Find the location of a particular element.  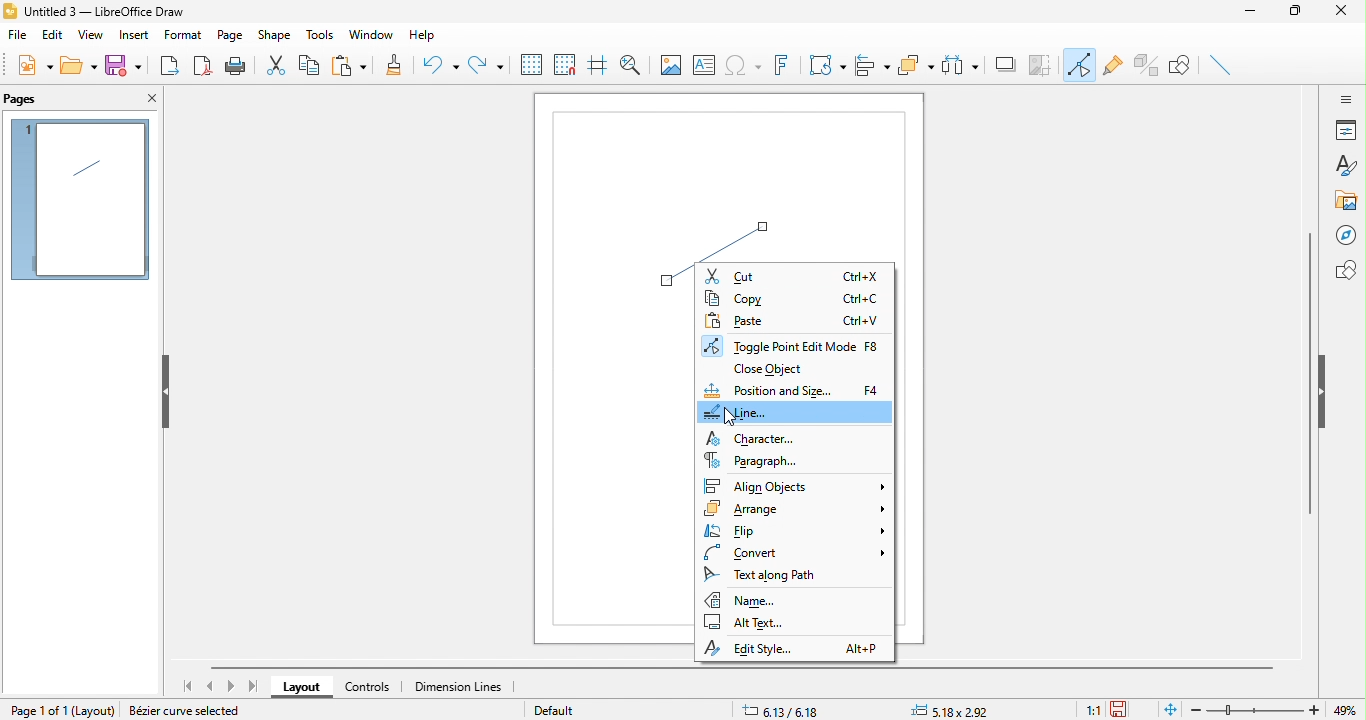

close is located at coordinates (149, 100).